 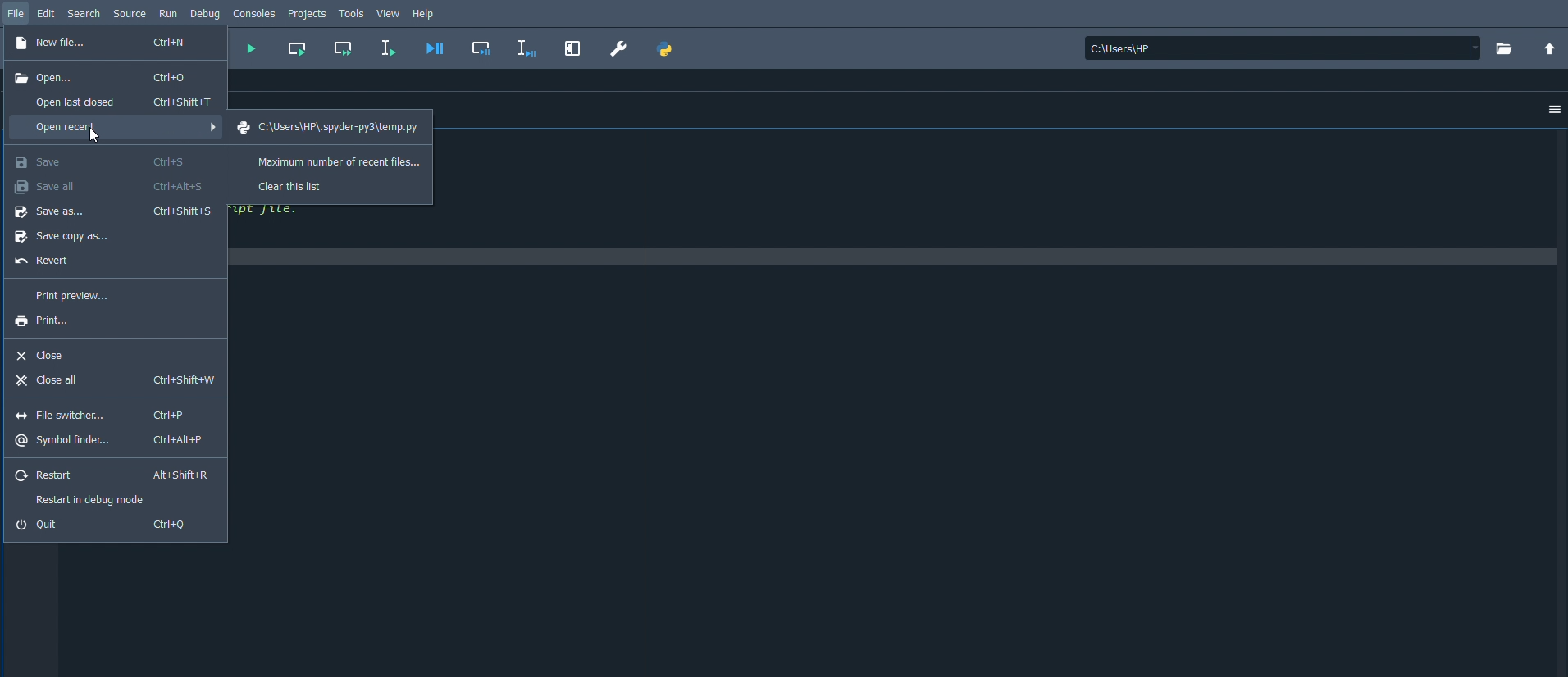 What do you see at coordinates (426, 14) in the screenshot?
I see `Help` at bounding box center [426, 14].